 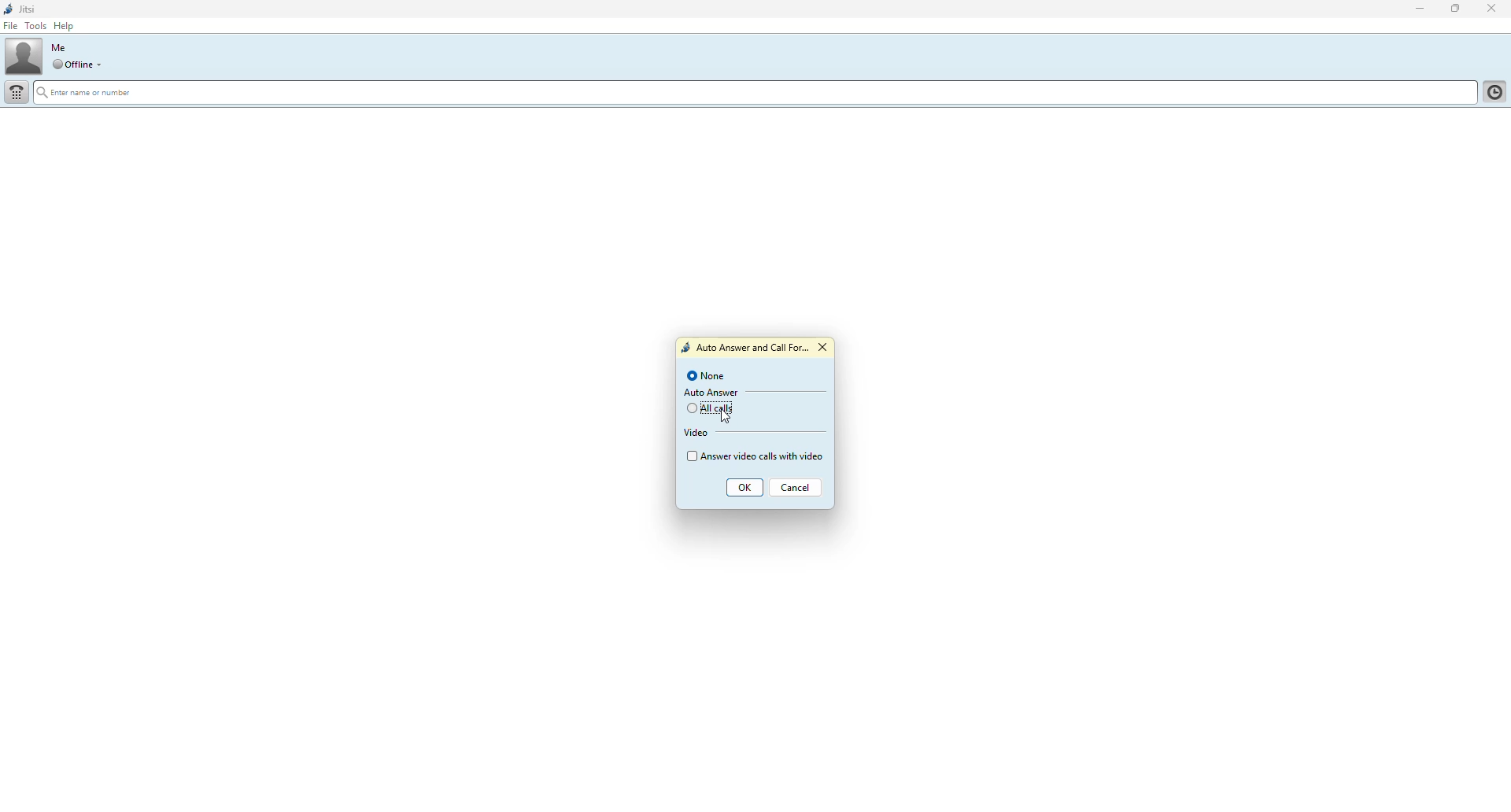 I want to click on close, so click(x=826, y=348).